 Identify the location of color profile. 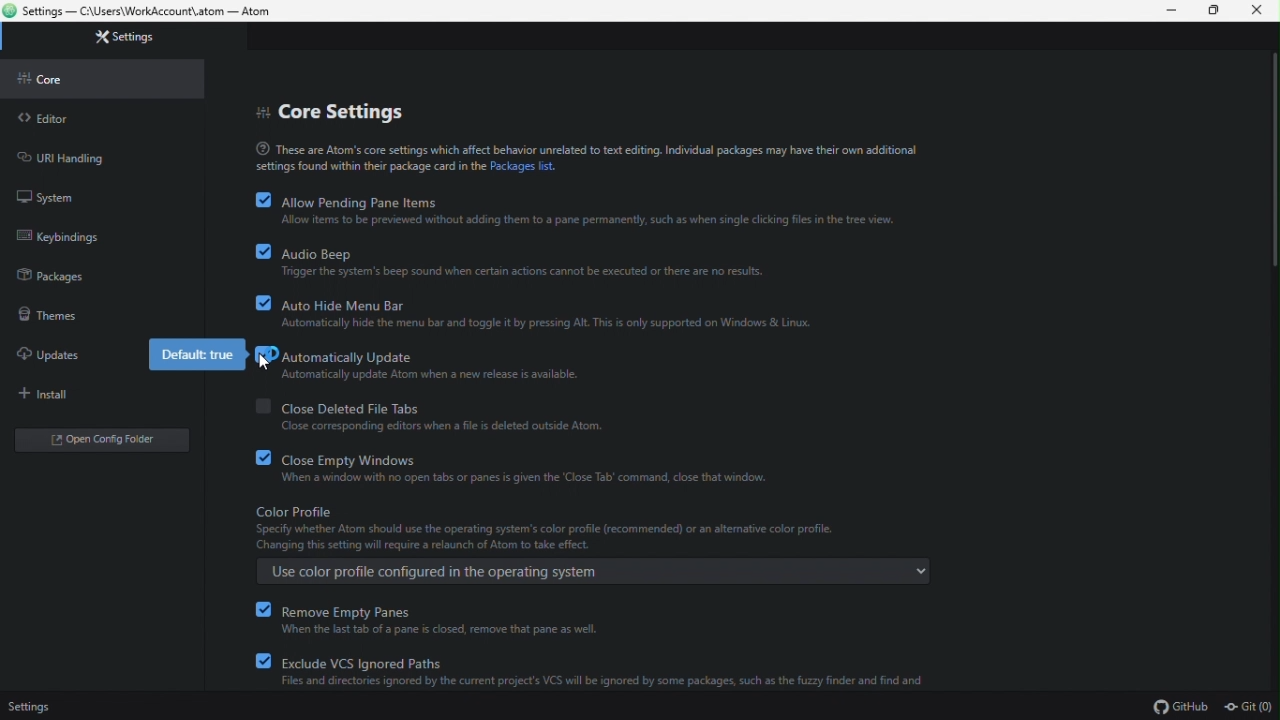
(590, 546).